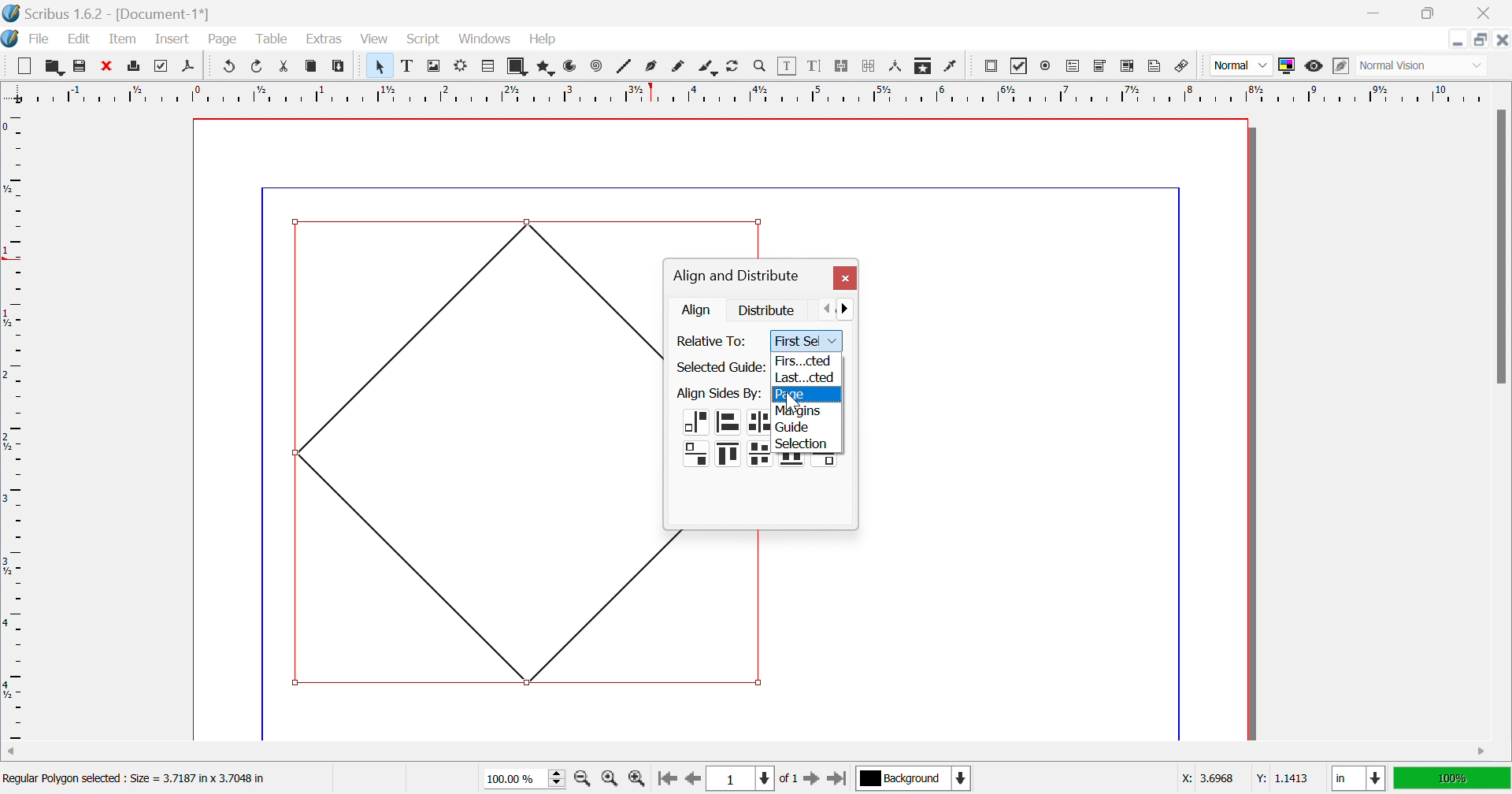 The width and height of the screenshot is (1512, 794). Describe the element at coordinates (738, 779) in the screenshot. I see `1` at that location.